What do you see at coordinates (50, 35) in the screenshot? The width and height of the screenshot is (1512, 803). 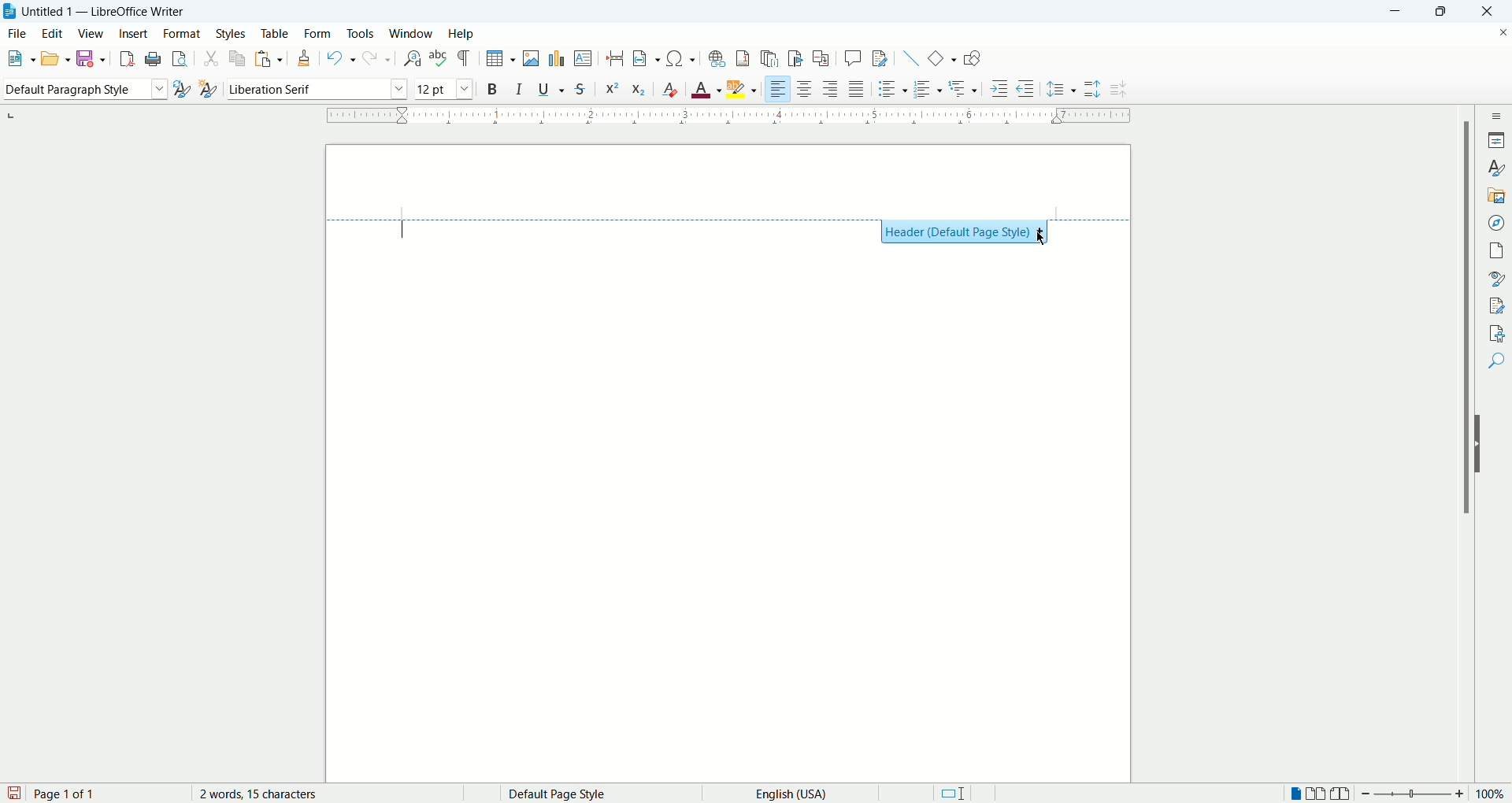 I see `edit` at bounding box center [50, 35].